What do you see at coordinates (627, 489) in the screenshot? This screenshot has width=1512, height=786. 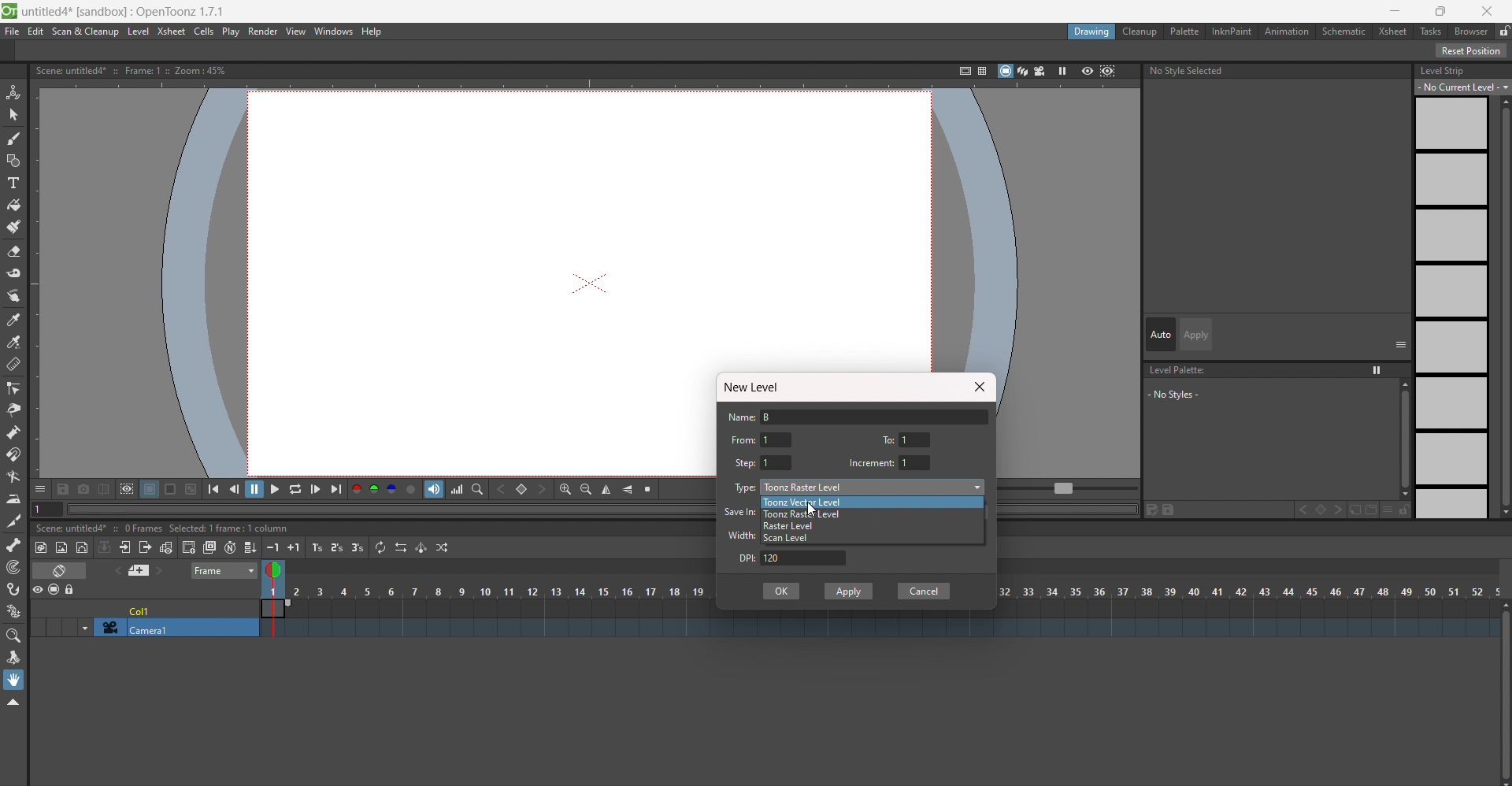 I see `` at bounding box center [627, 489].